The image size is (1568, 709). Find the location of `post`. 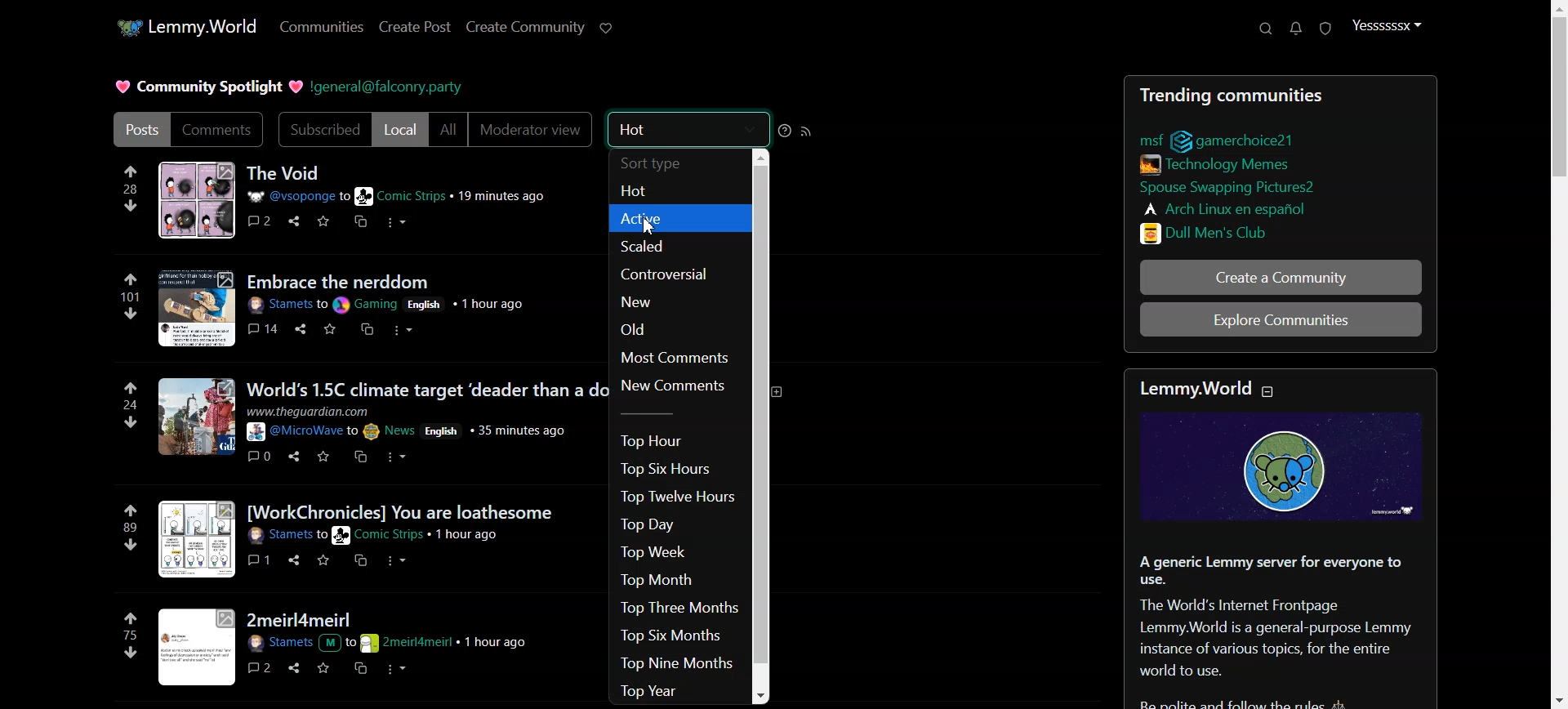

post is located at coordinates (421, 387).